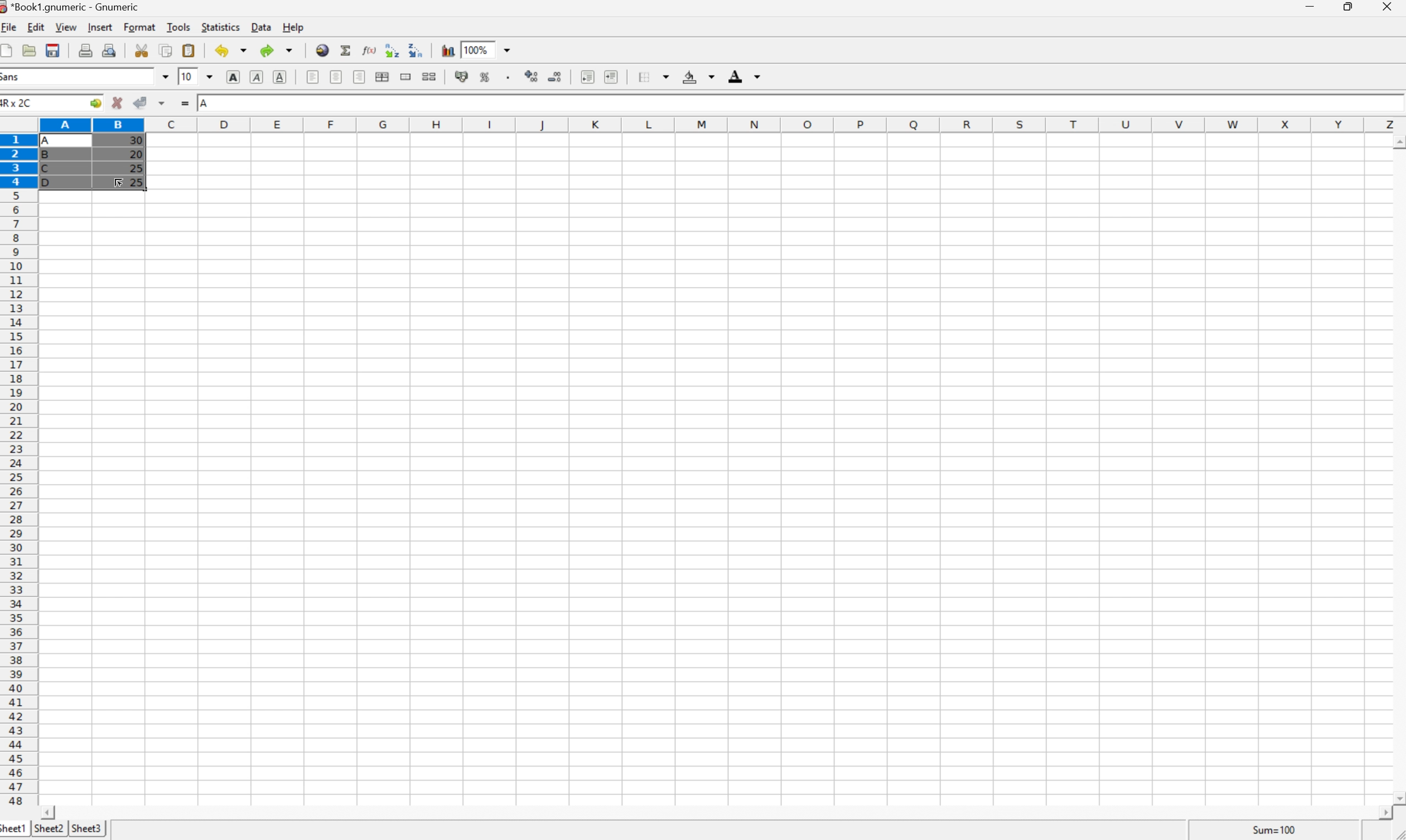  I want to click on Borders, so click(649, 76).